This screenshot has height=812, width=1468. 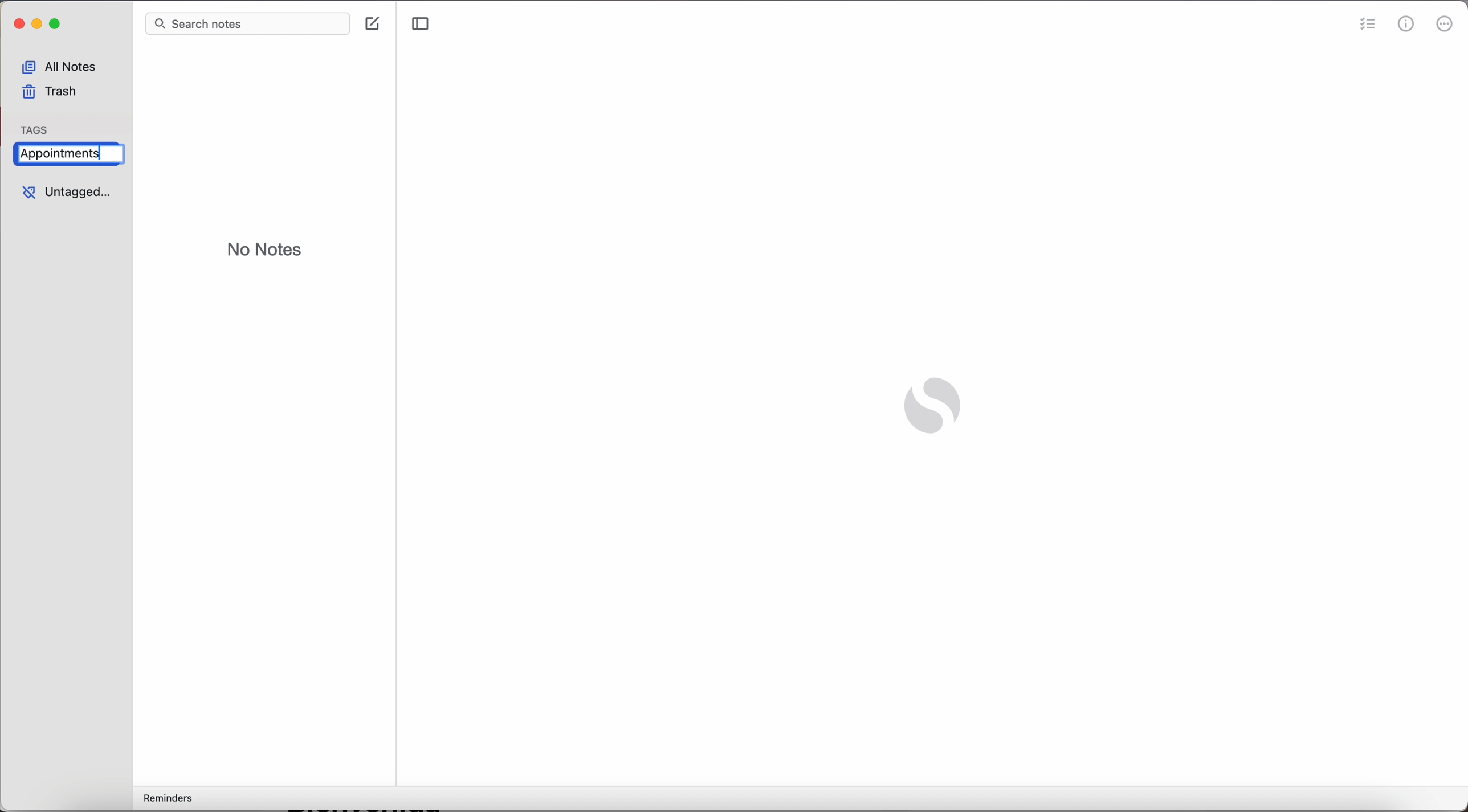 What do you see at coordinates (930, 408) in the screenshot?
I see `Simplenote logo` at bounding box center [930, 408].